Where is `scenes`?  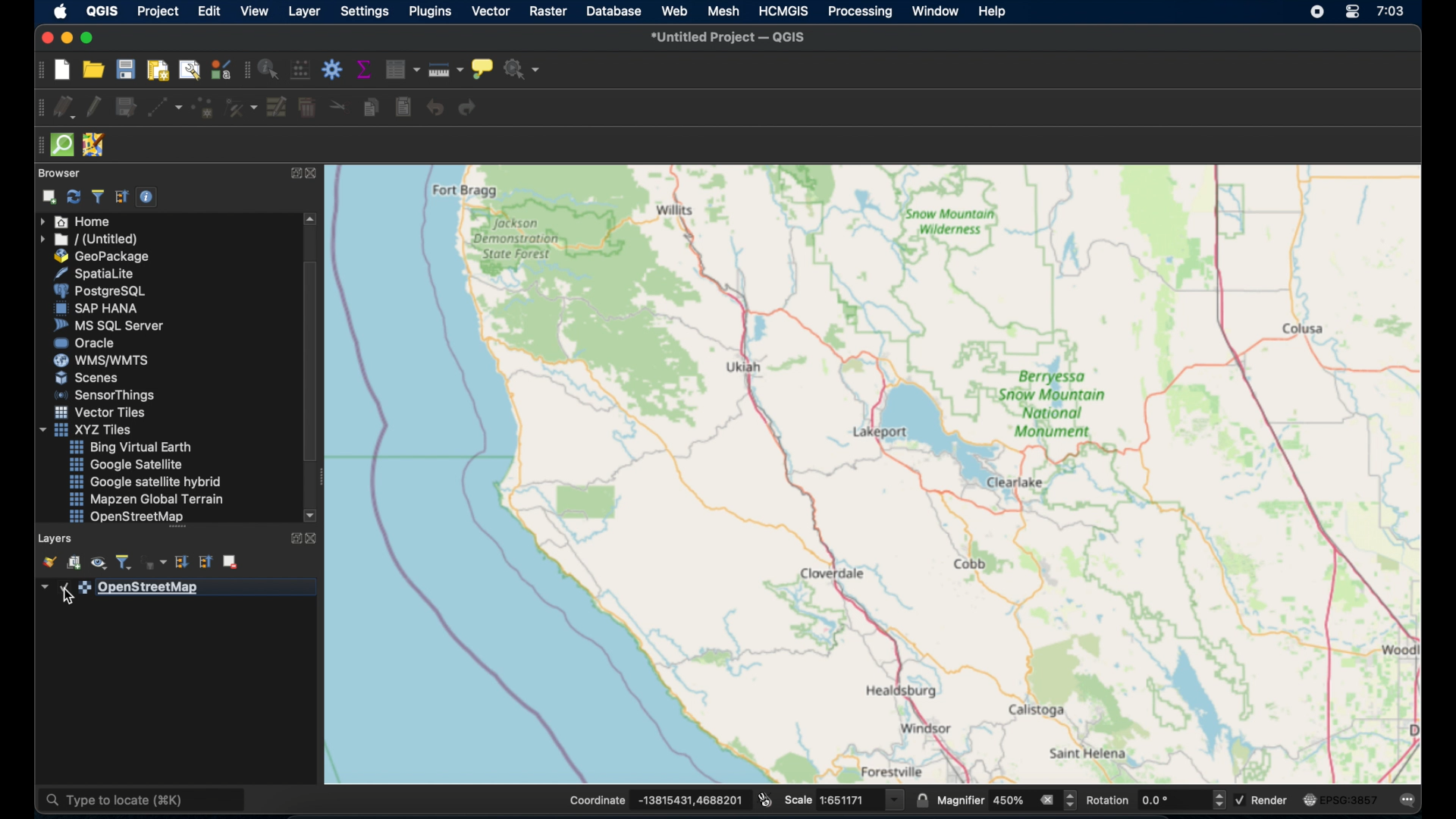 scenes is located at coordinates (87, 378).